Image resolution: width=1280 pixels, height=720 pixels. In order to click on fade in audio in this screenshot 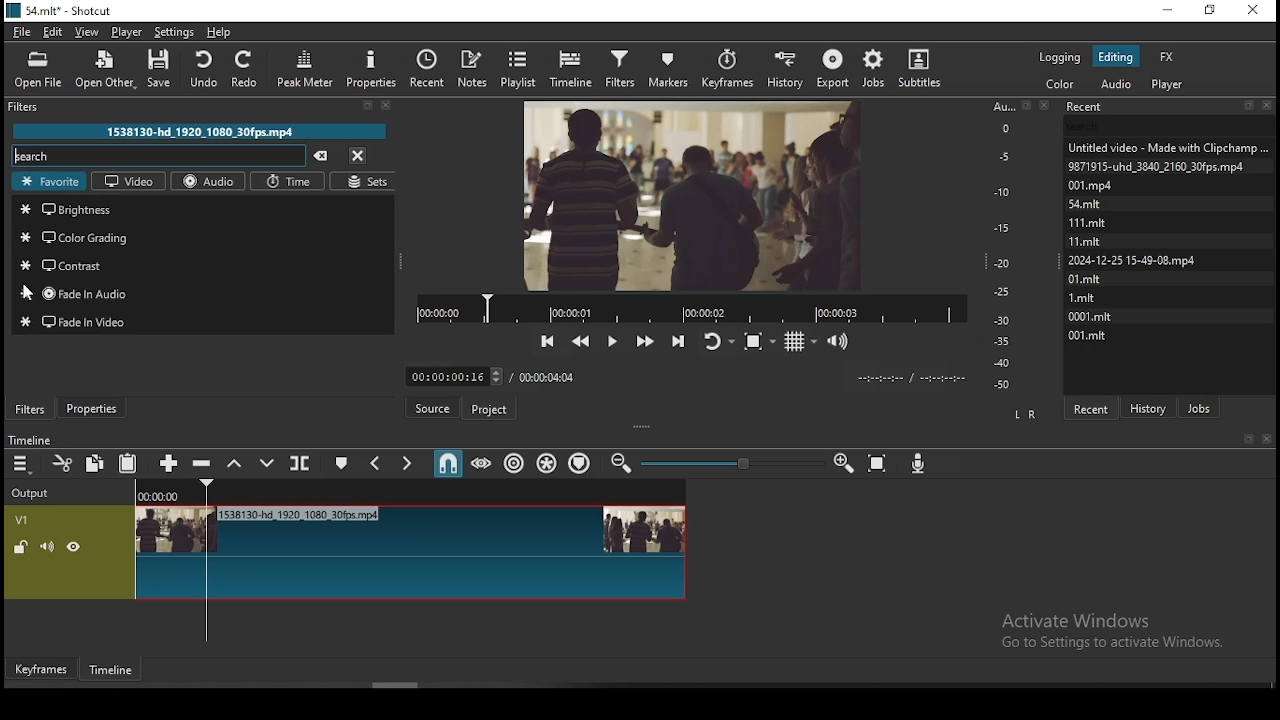, I will do `click(200, 293)`.